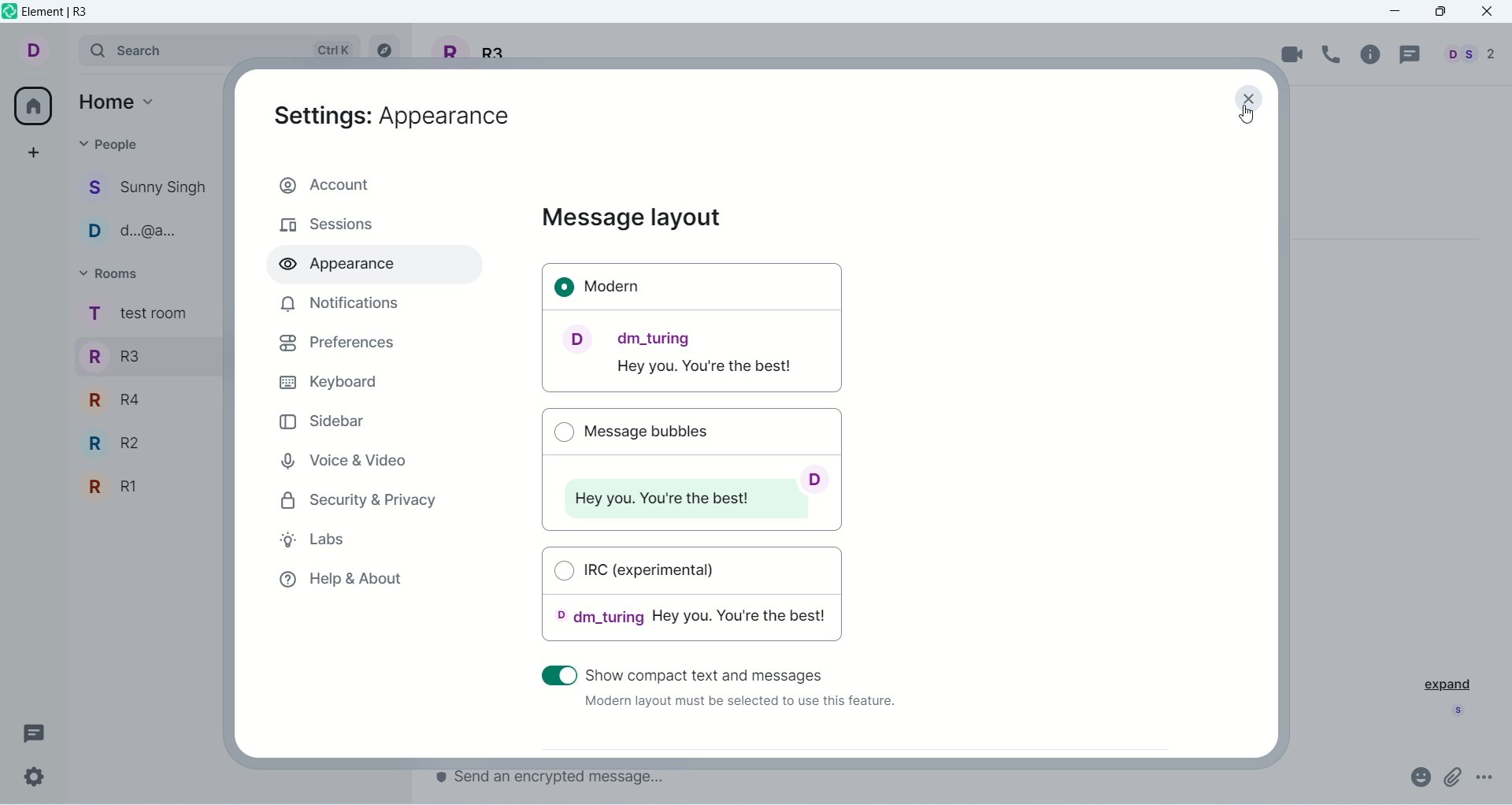  I want to click on threads, so click(1407, 55).